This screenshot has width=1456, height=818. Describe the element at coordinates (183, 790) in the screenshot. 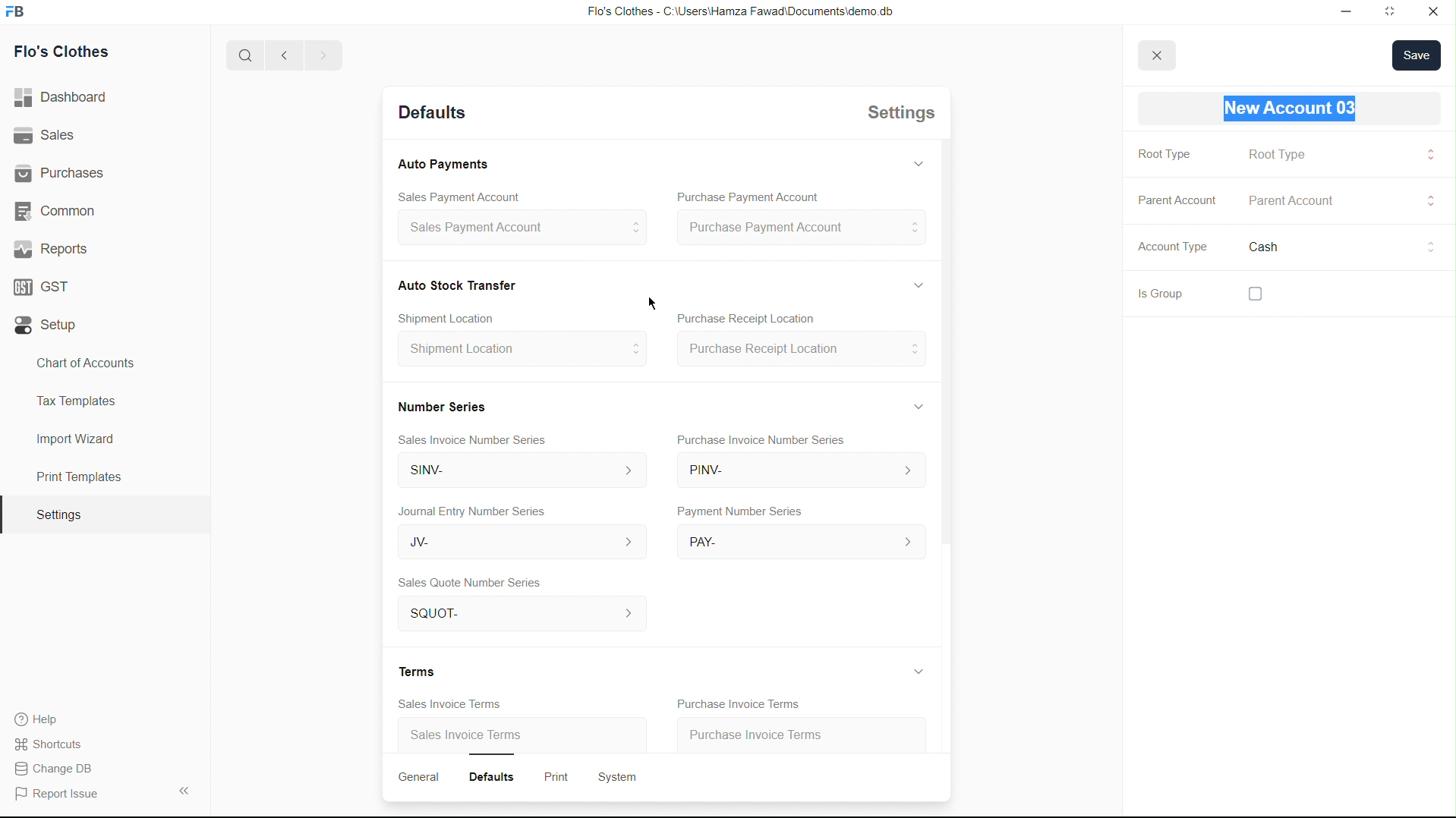

I see `Collapse` at that location.